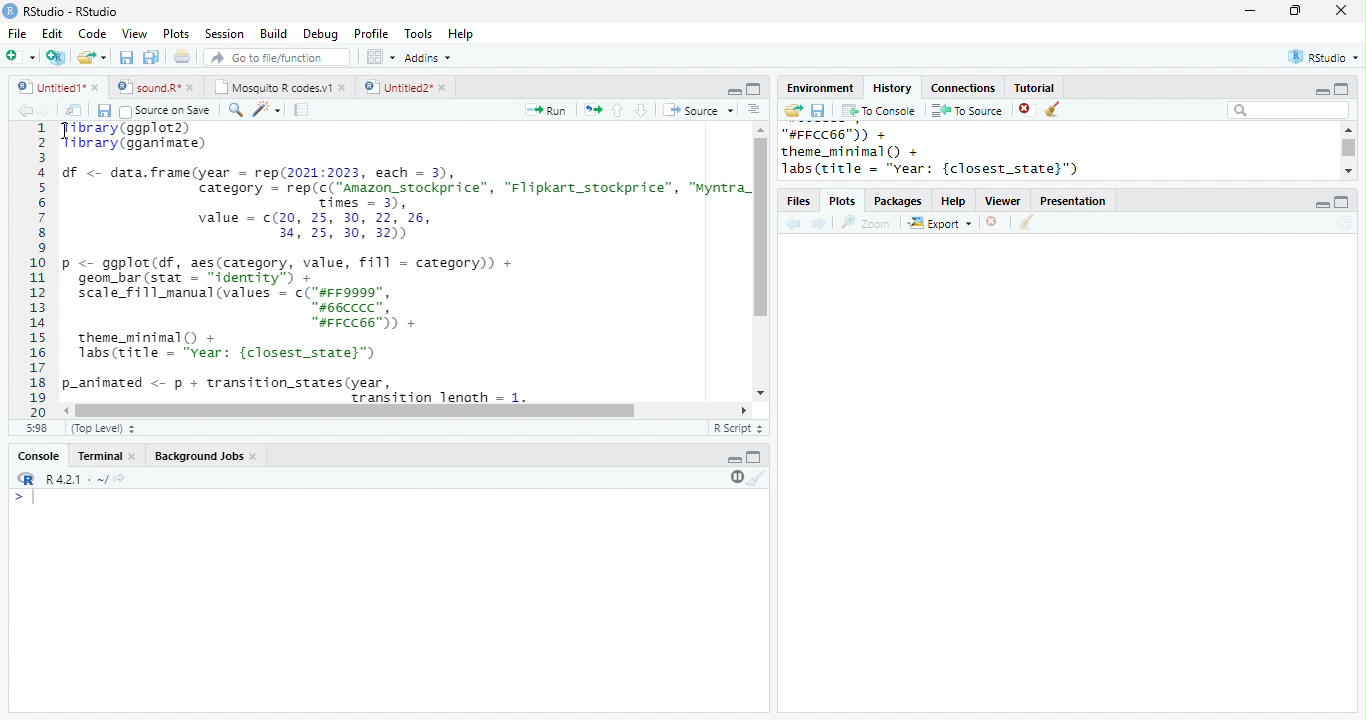 This screenshot has width=1366, height=720. I want to click on resize, so click(1295, 11).